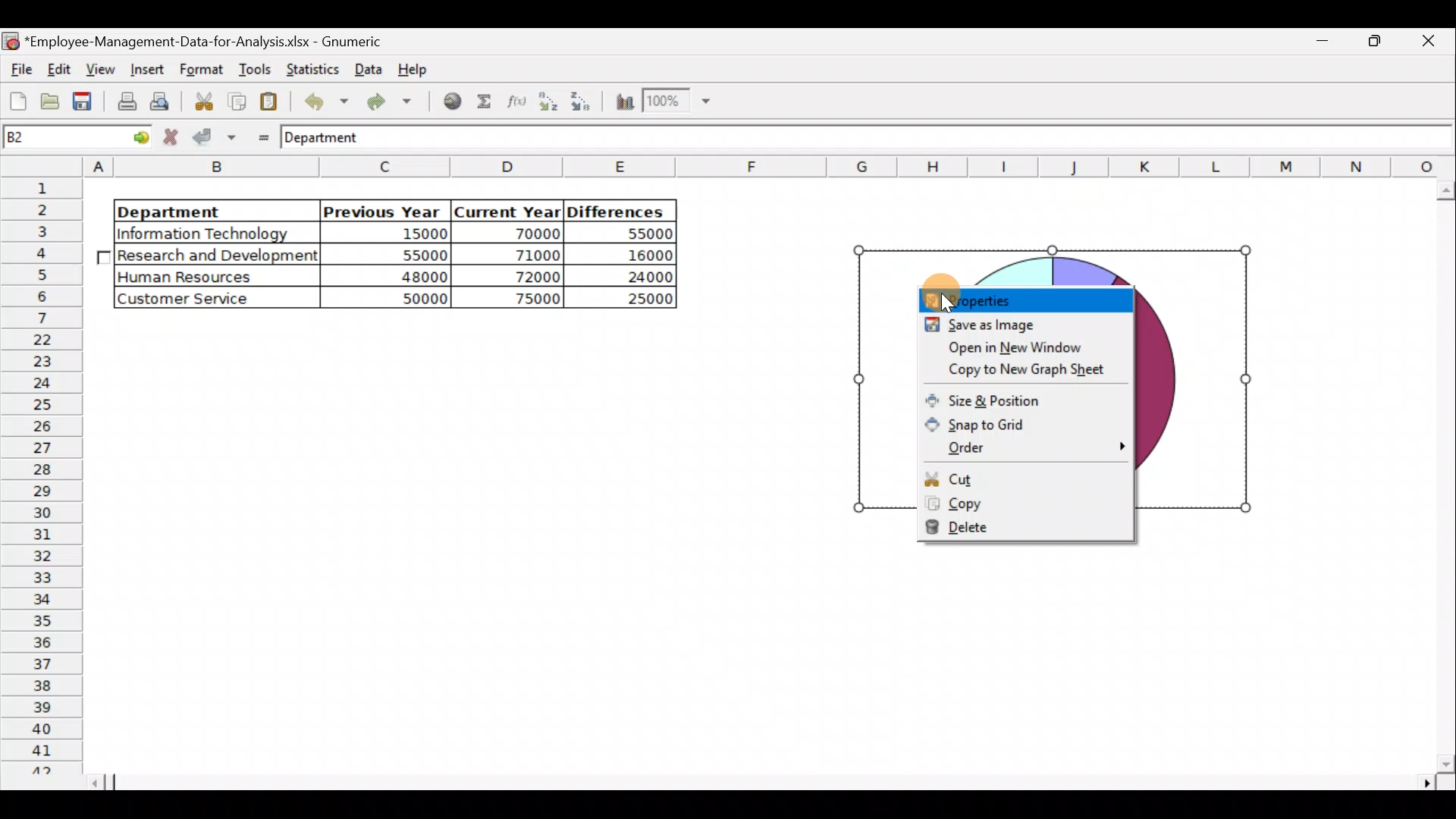 This screenshot has height=819, width=1456. What do you see at coordinates (146, 68) in the screenshot?
I see `Insert` at bounding box center [146, 68].